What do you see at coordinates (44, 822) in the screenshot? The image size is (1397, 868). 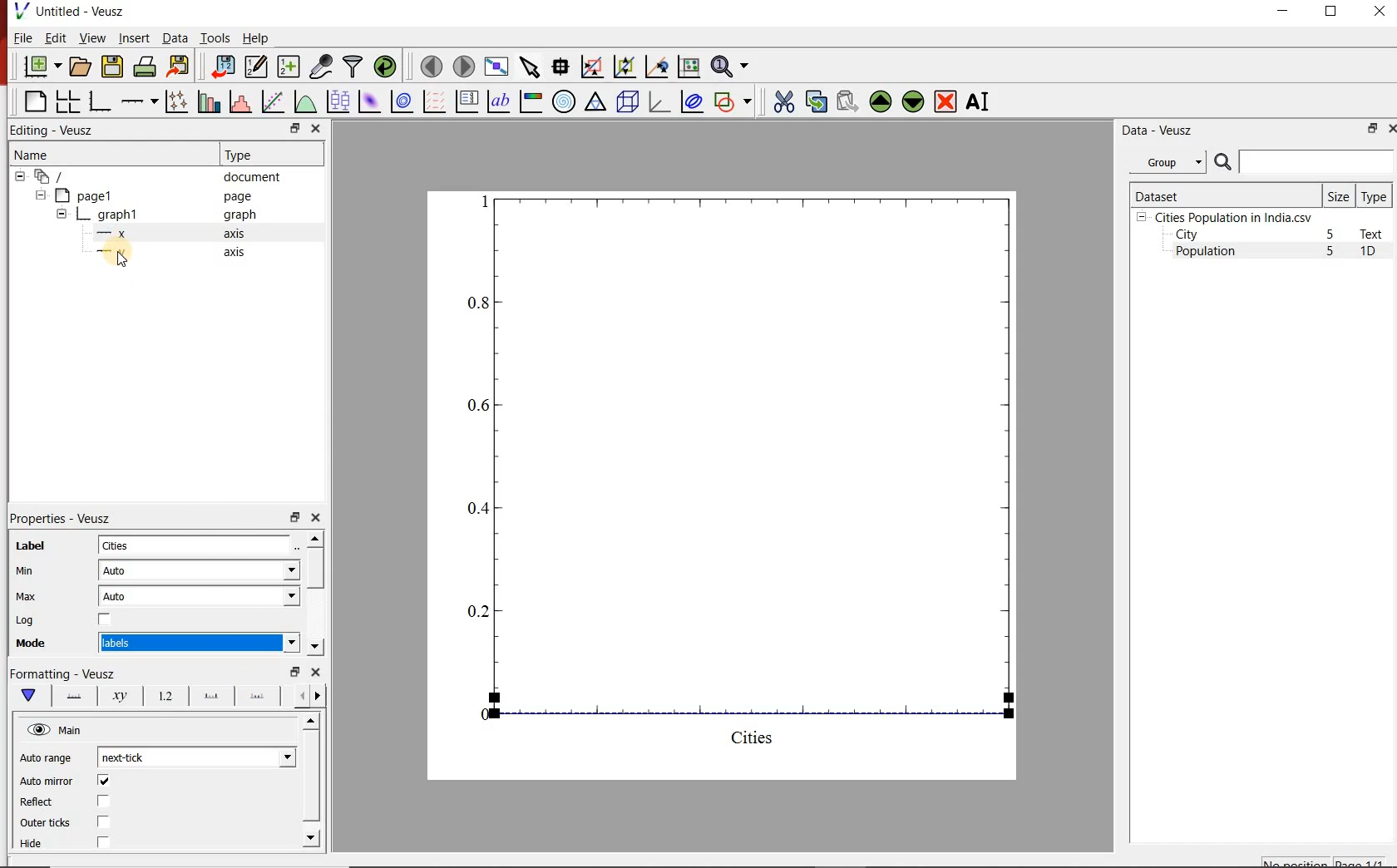 I see `Outer ticks` at bounding box center [44, 822].